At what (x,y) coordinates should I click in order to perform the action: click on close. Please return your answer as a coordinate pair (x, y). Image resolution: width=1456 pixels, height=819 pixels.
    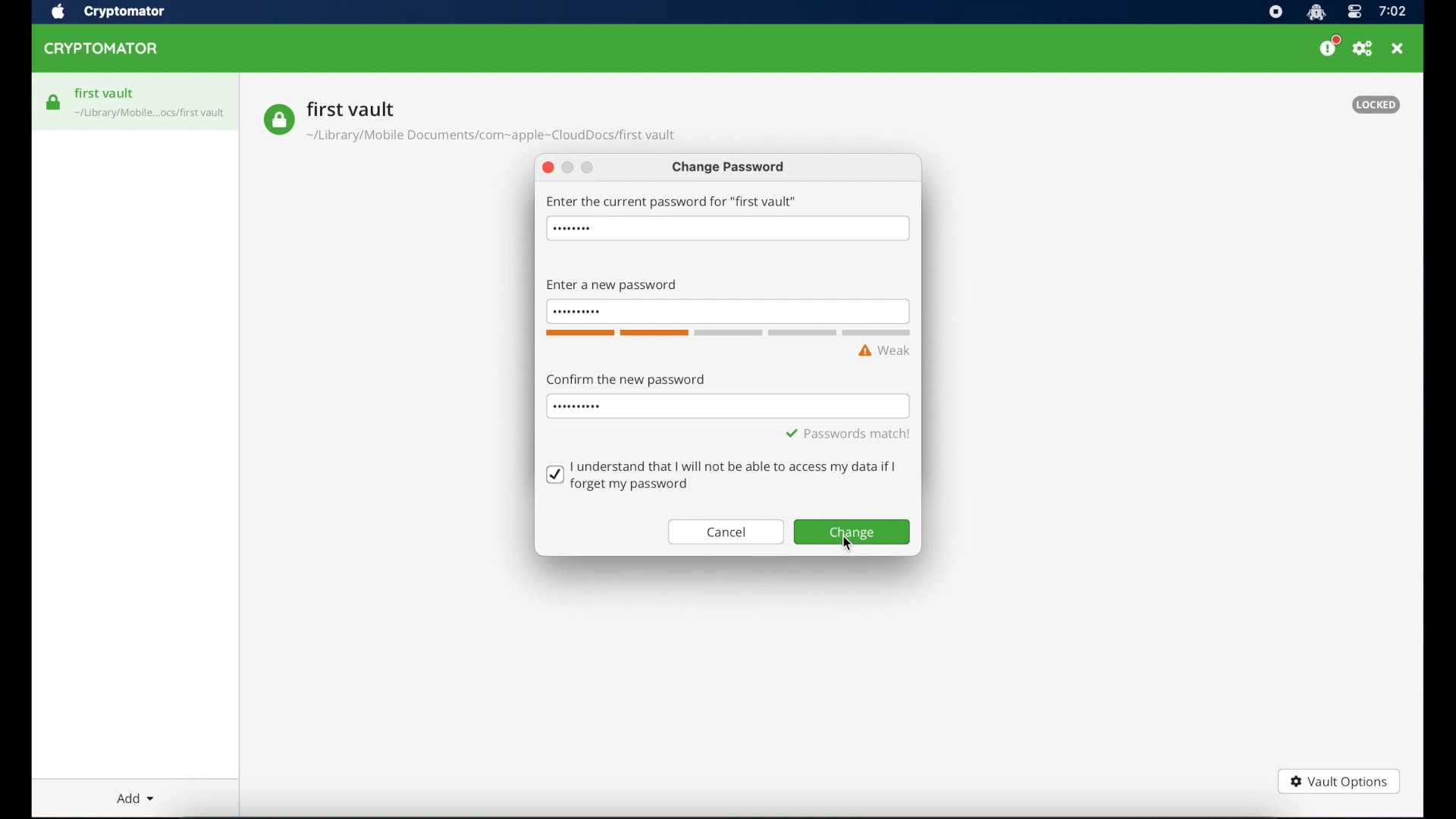
    Looking at the image, I should click on (548, 168).